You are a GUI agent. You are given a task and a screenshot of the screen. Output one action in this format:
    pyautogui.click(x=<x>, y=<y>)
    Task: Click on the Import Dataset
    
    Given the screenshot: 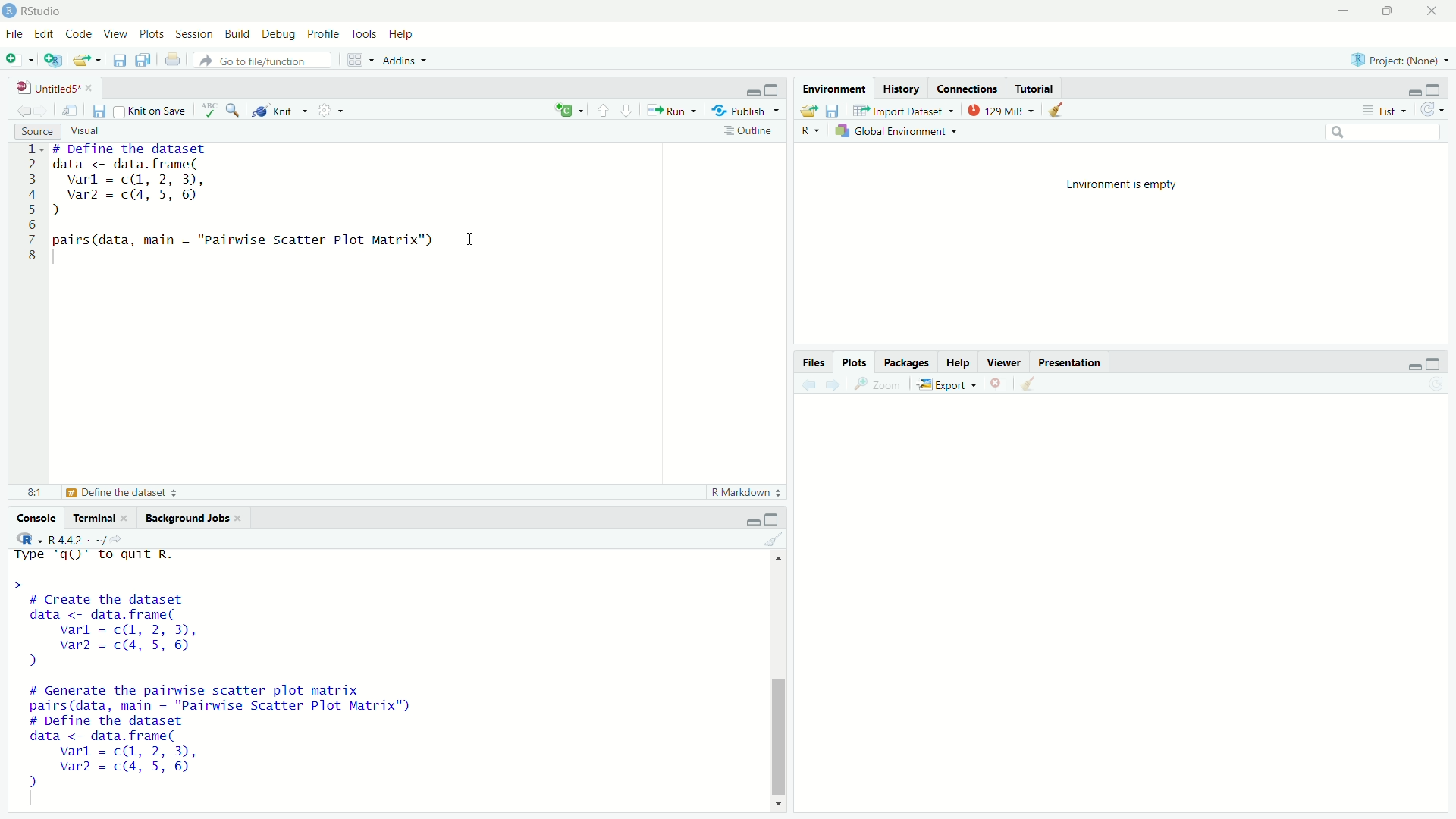 What is the action you would take?
    pyautogui.click(x=902, y=109)
    